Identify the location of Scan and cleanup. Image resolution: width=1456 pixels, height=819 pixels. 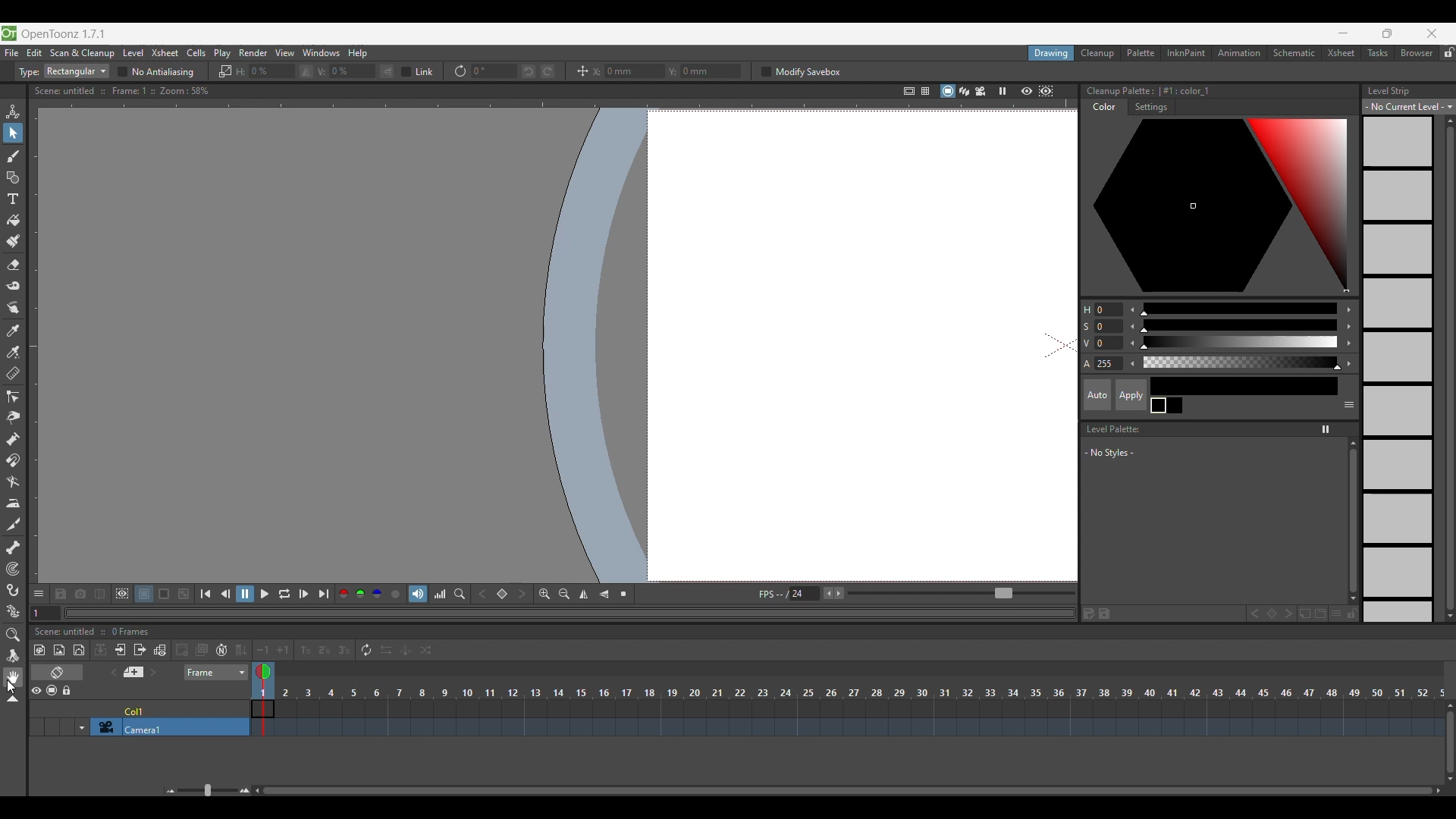
(83, 53).